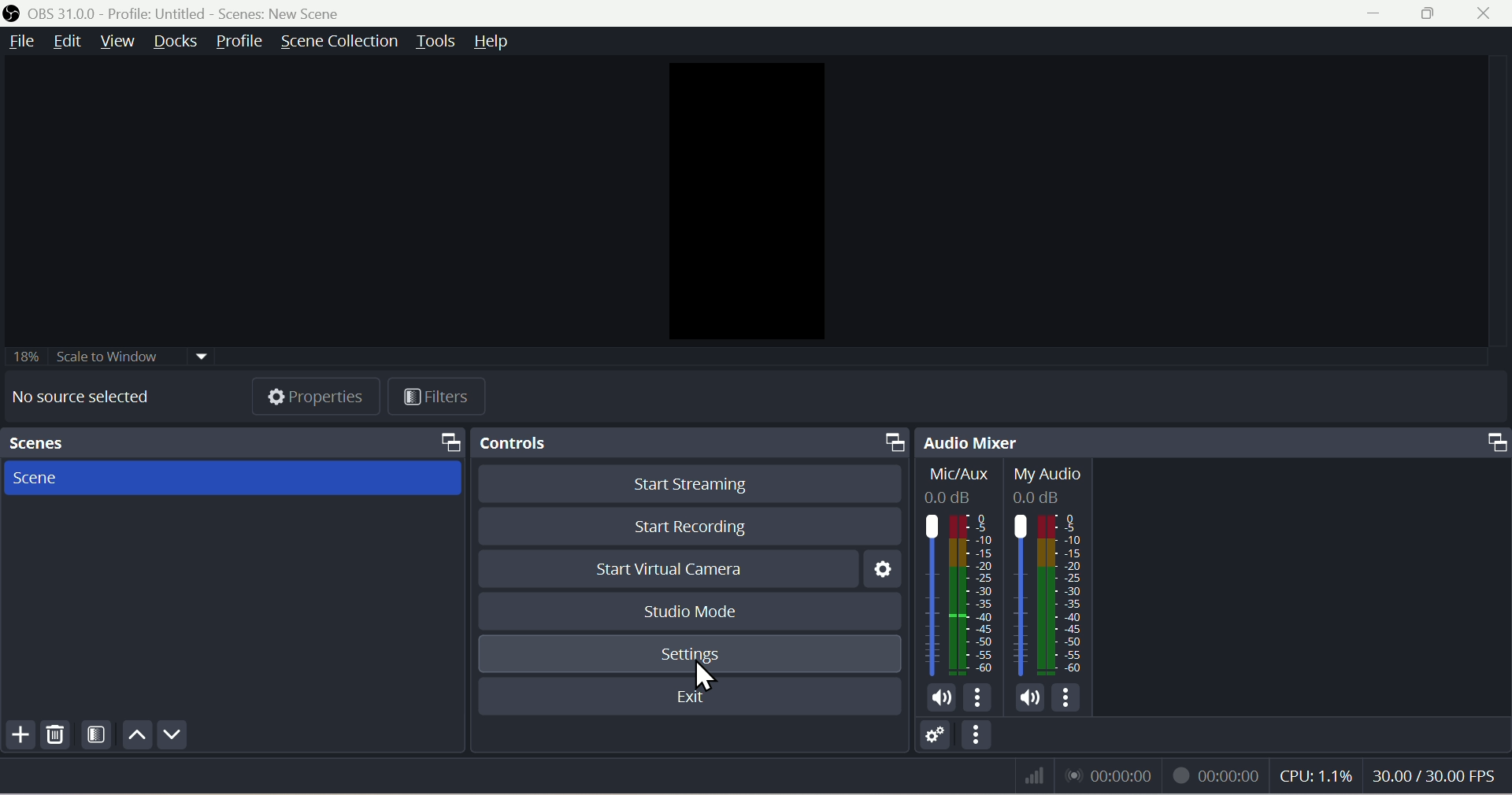  What do you see at coordinates (692, 695) in the screenshot?
I see `Exit` at bounding box center [692, 695].